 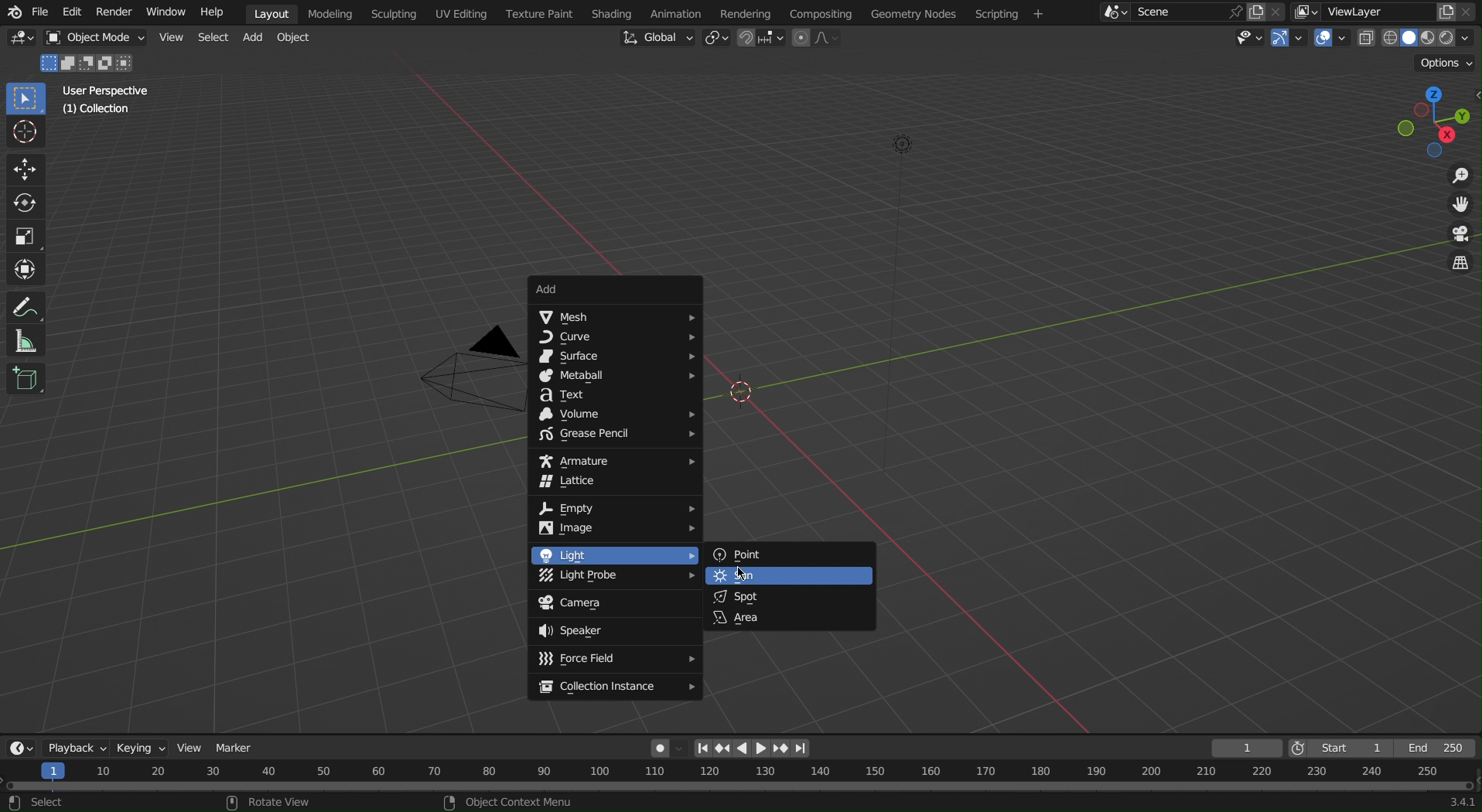 What do you see at coordinates (26, 377) in the screenshot?
I see `New Cube` at bounding box center [26, 377].